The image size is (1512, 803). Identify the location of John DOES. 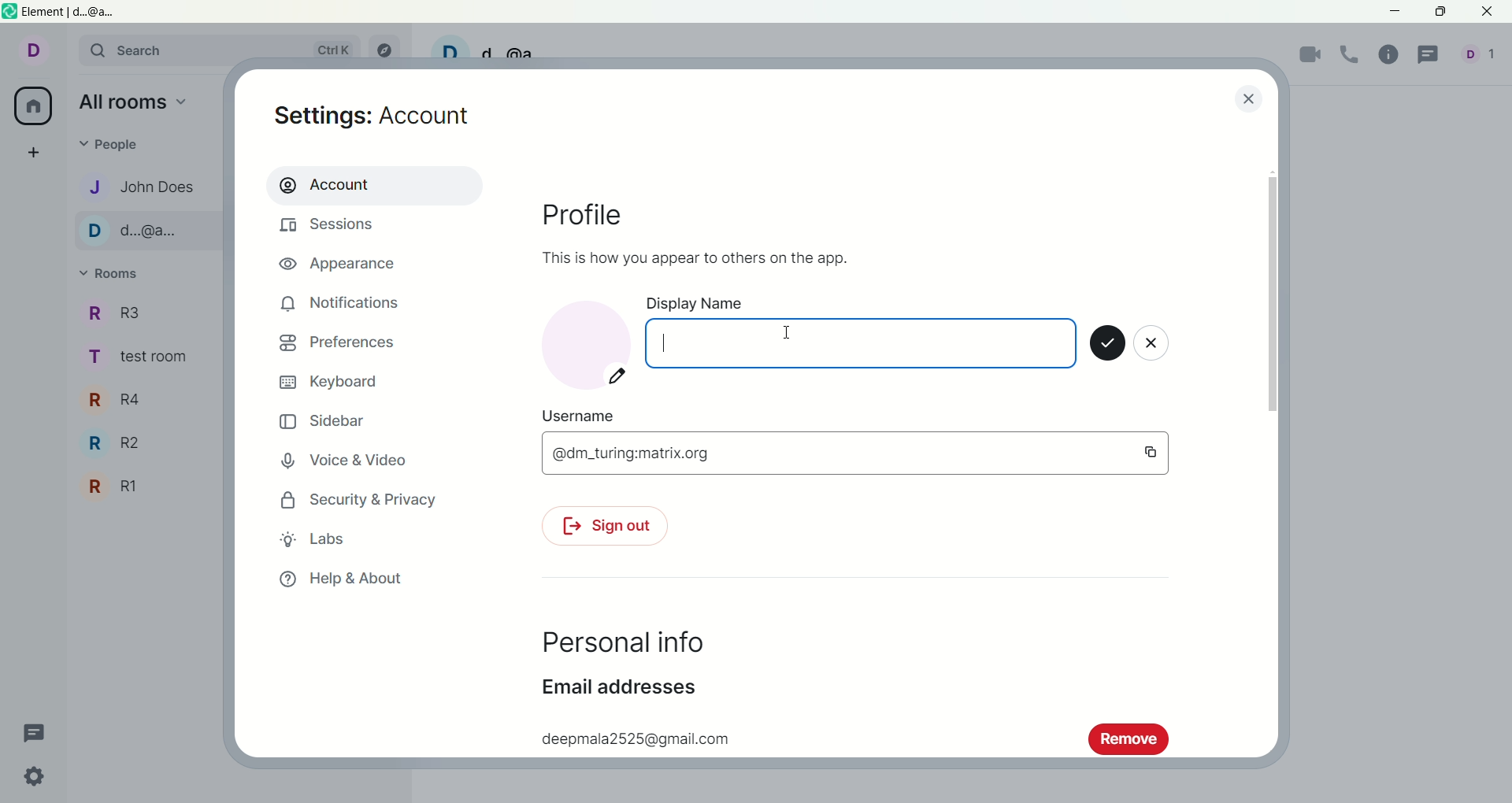
(136, 186).